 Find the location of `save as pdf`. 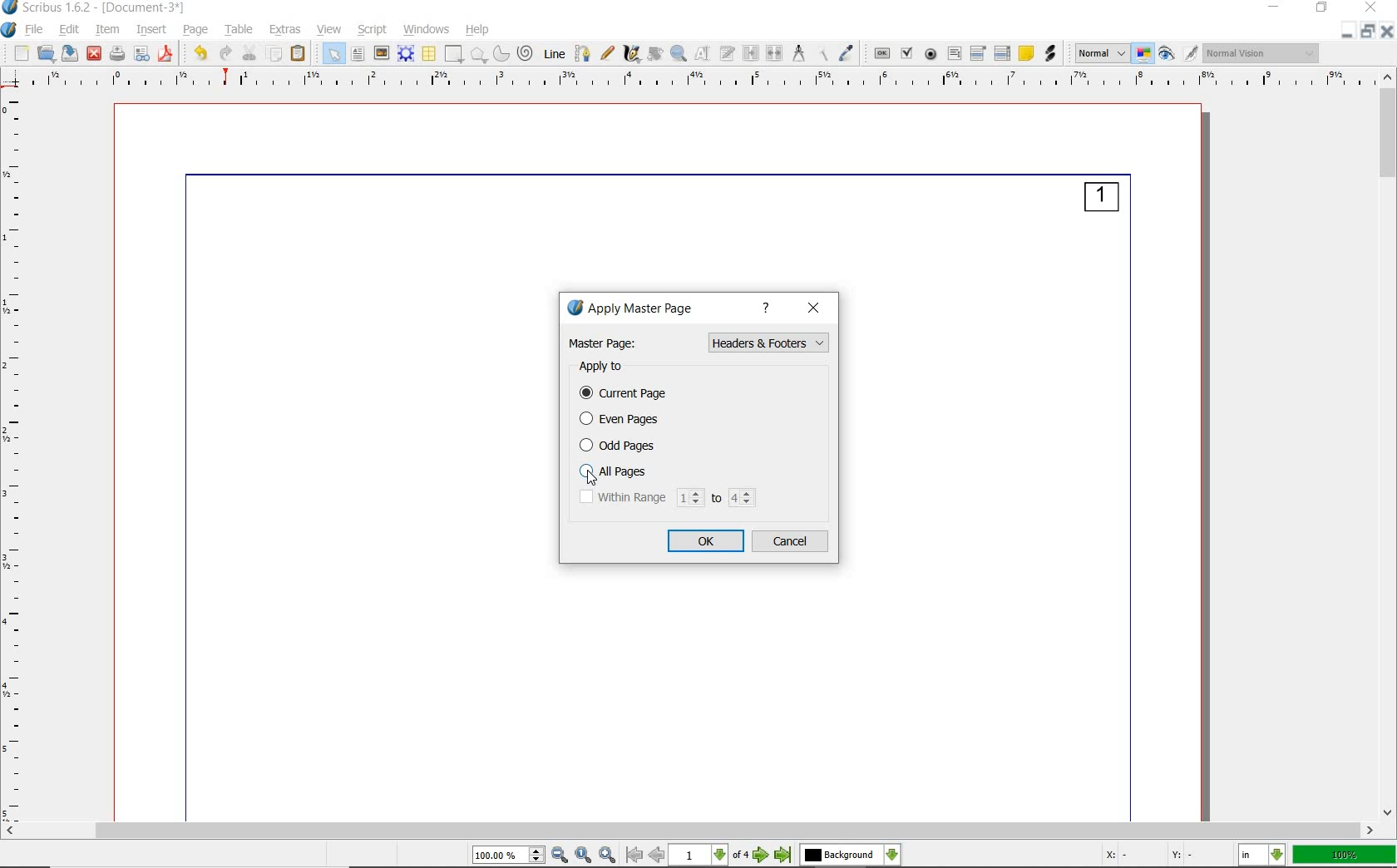

save as pdf is located at coordinates (165, 55).